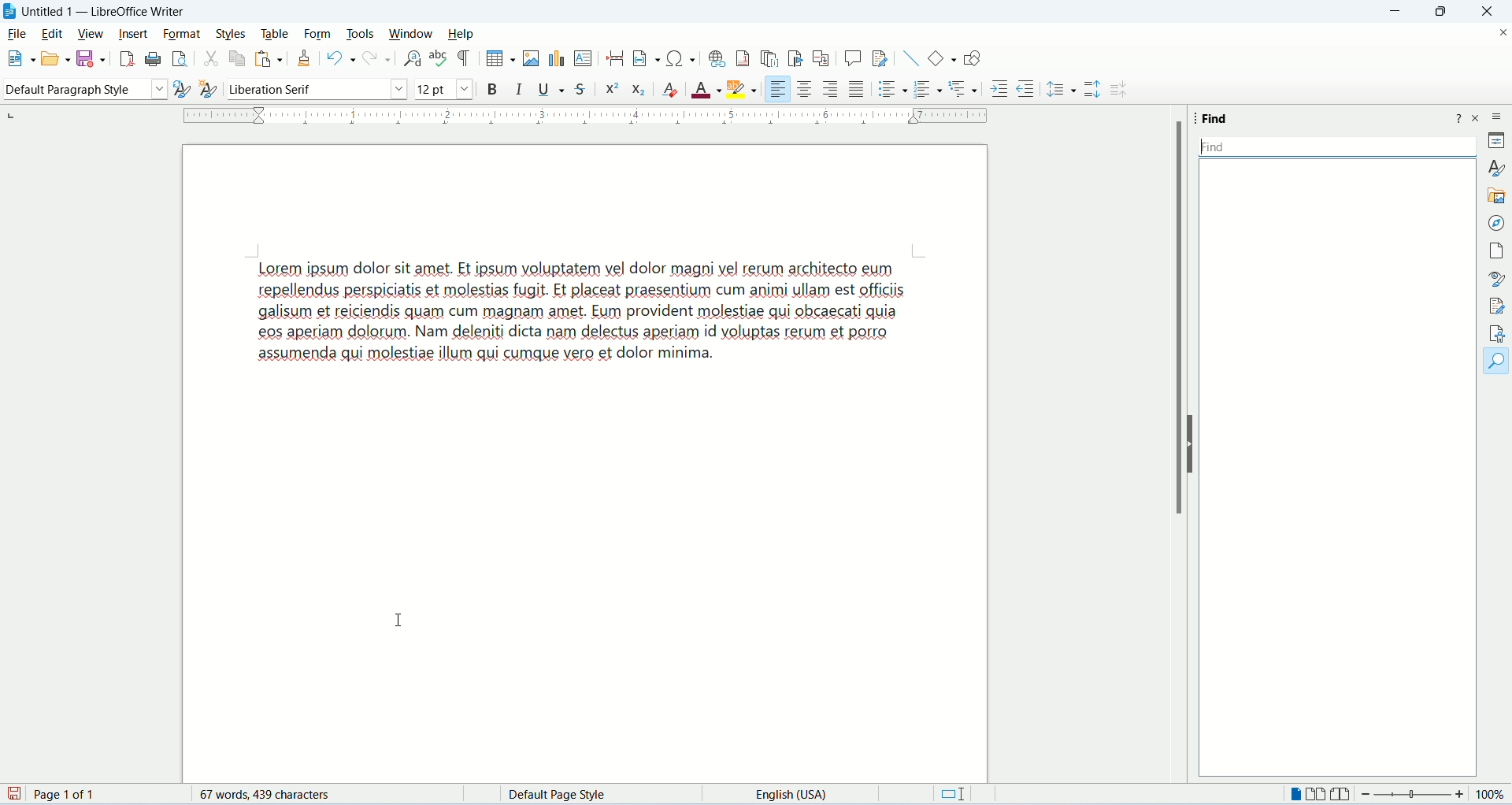 The height and width of the screenshot is (805, 1512). Describe the element at coordinates (91, 59) in the screenshot. I see `save` at that location.